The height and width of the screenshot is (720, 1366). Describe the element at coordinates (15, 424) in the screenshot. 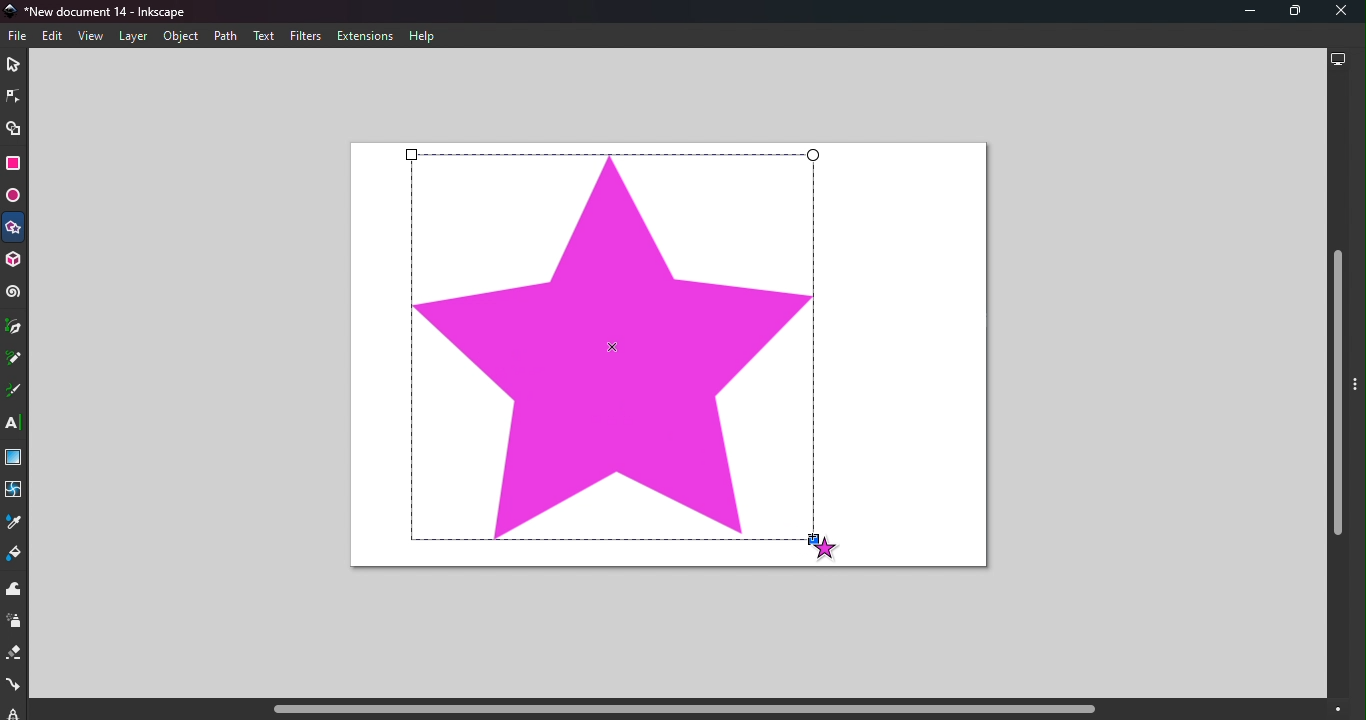

I see `Text tool` at that location.